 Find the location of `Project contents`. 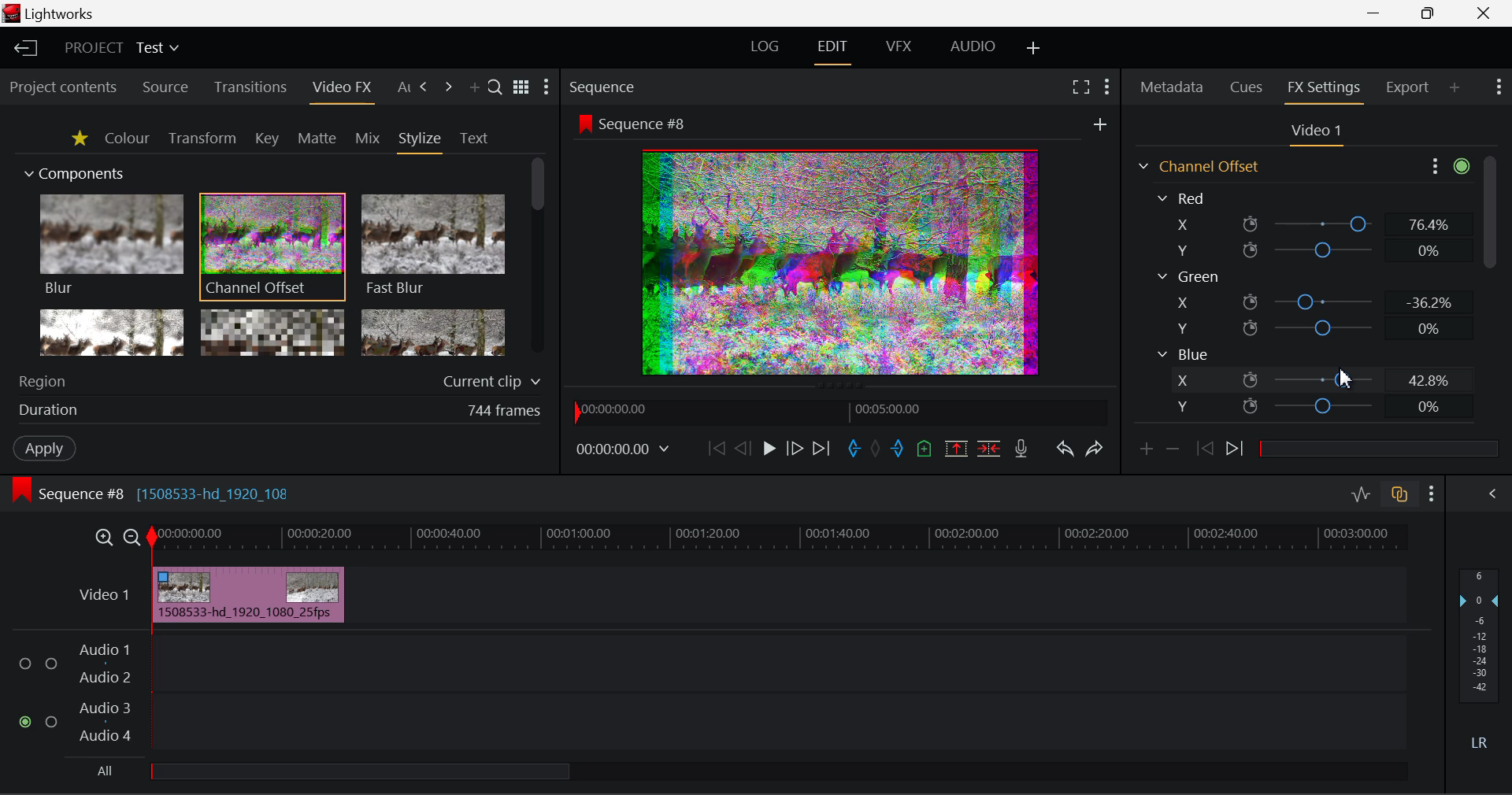

Project contents is located at coordinates (62, 88).